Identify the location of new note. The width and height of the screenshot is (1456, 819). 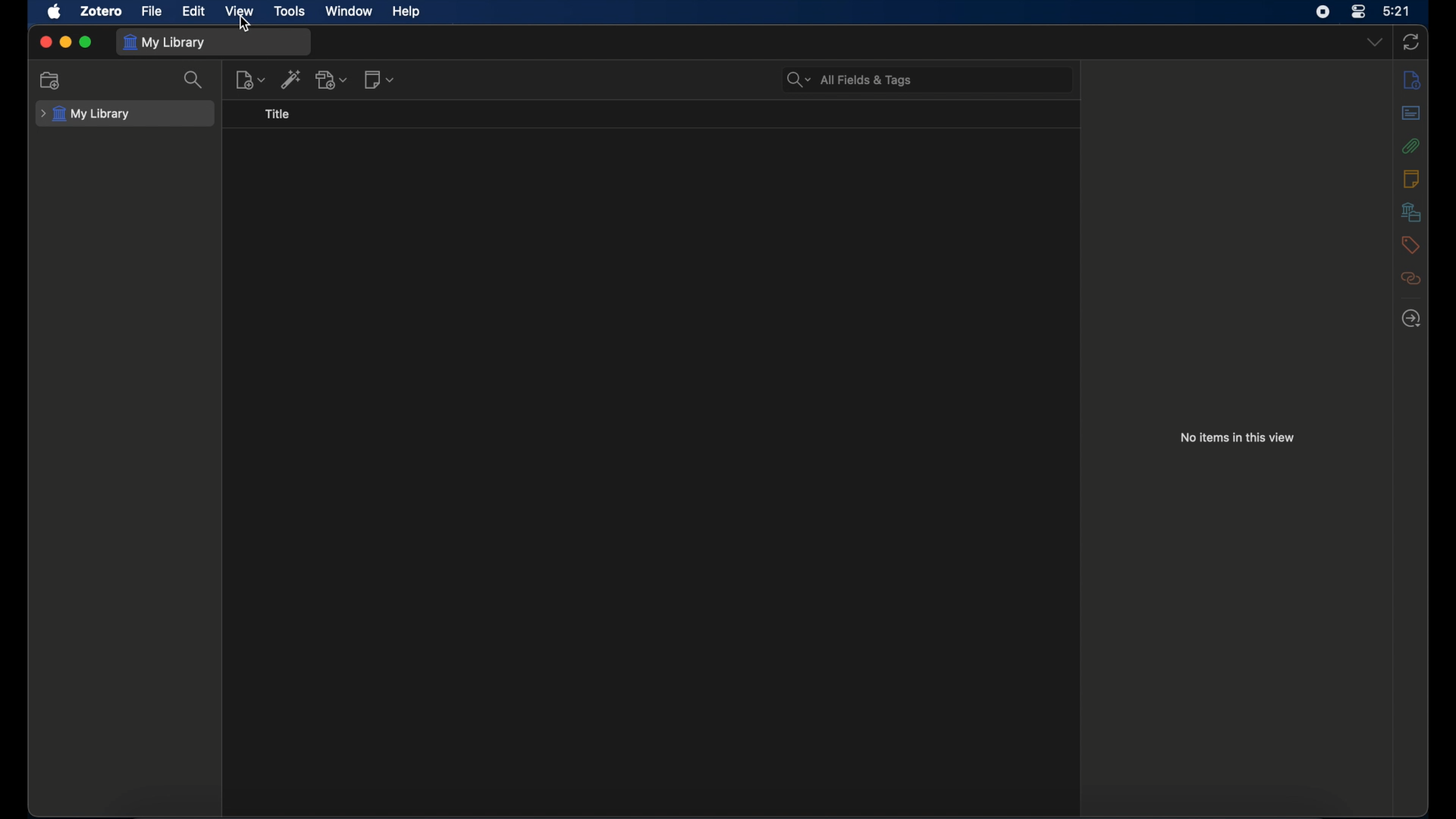
(379, 79).